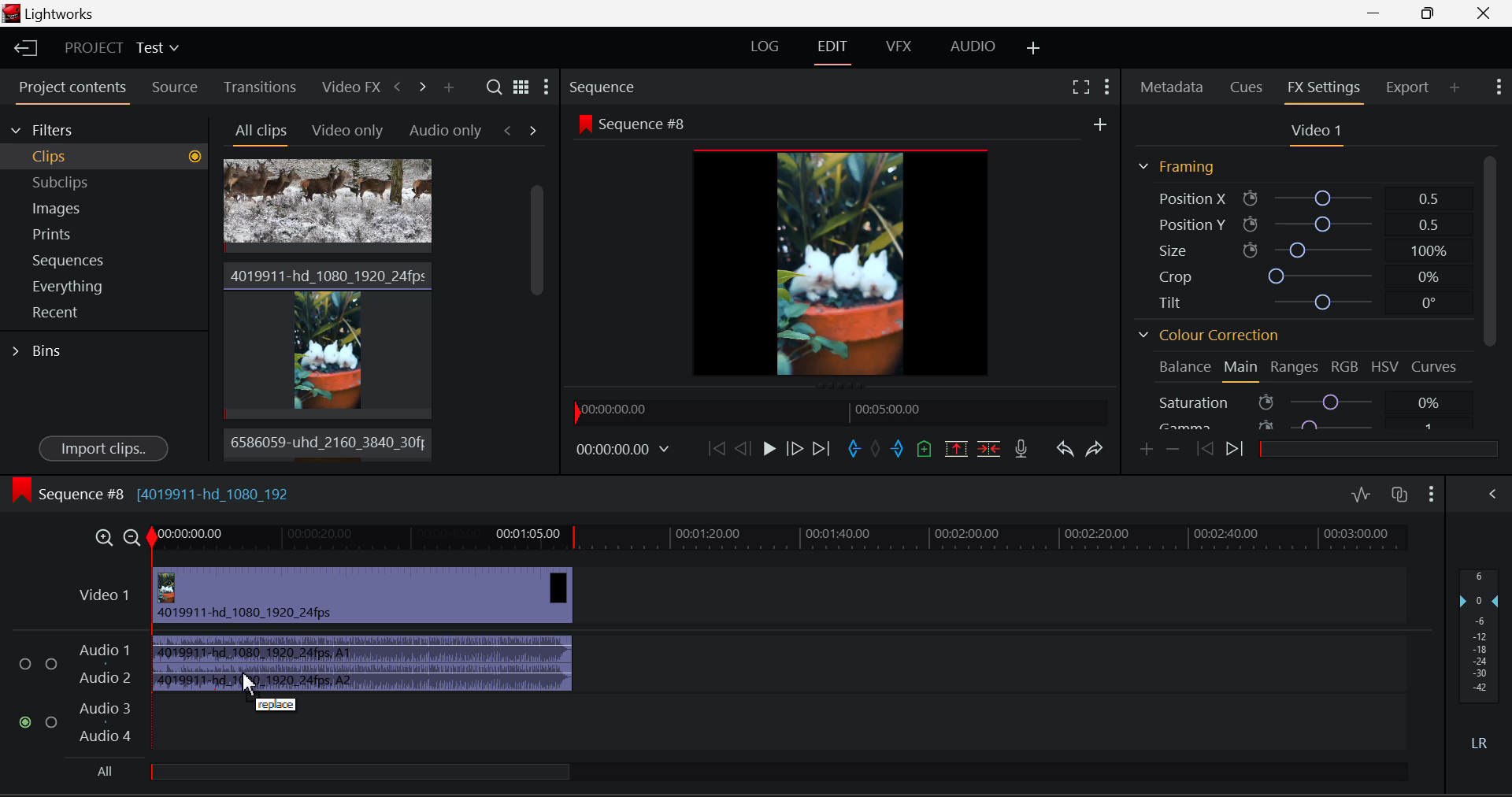  I want to click on Clips Open, so click(104, 157).